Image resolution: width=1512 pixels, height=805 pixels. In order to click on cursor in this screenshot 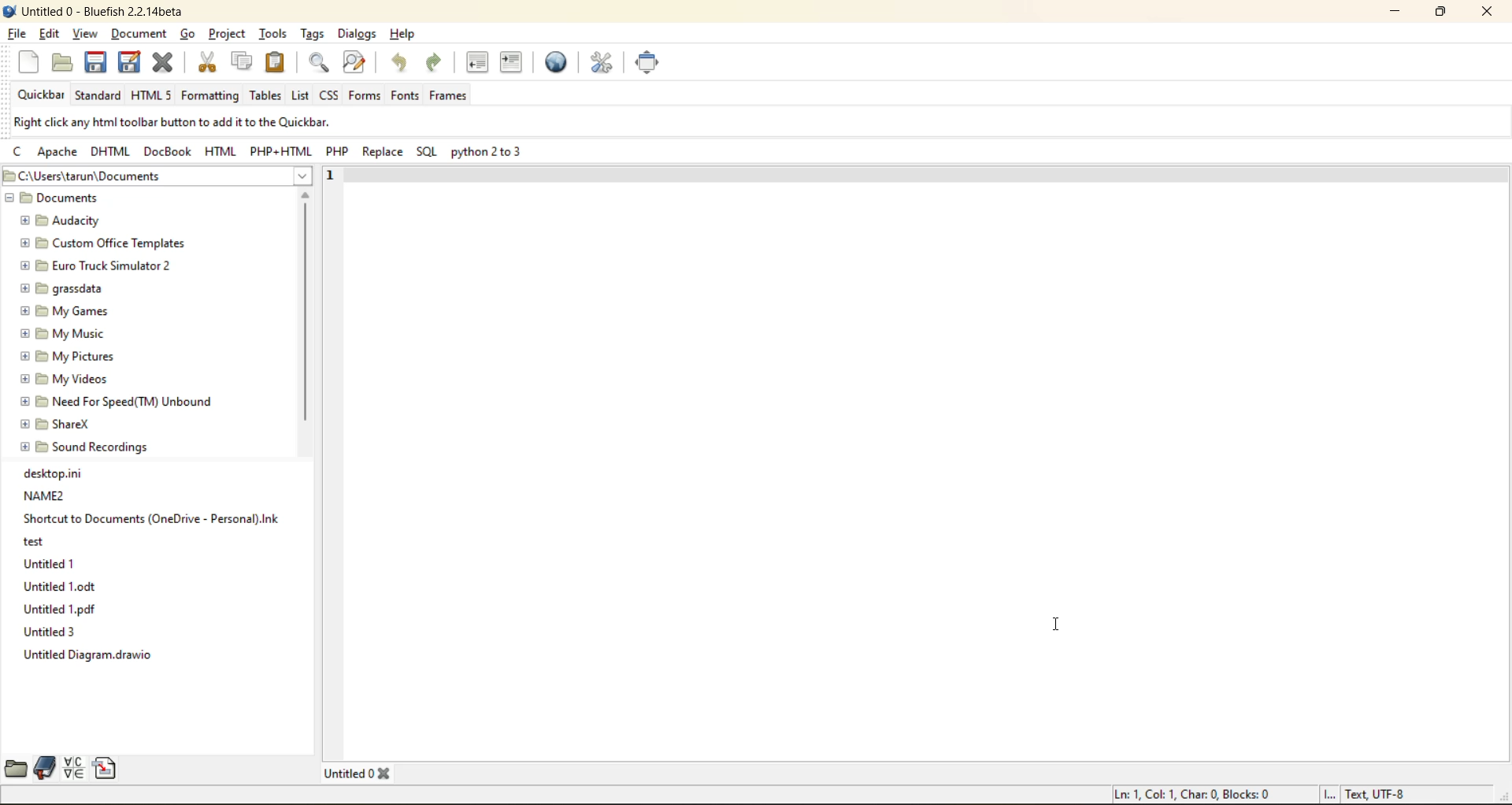, I will do `click(1064, 633)`.